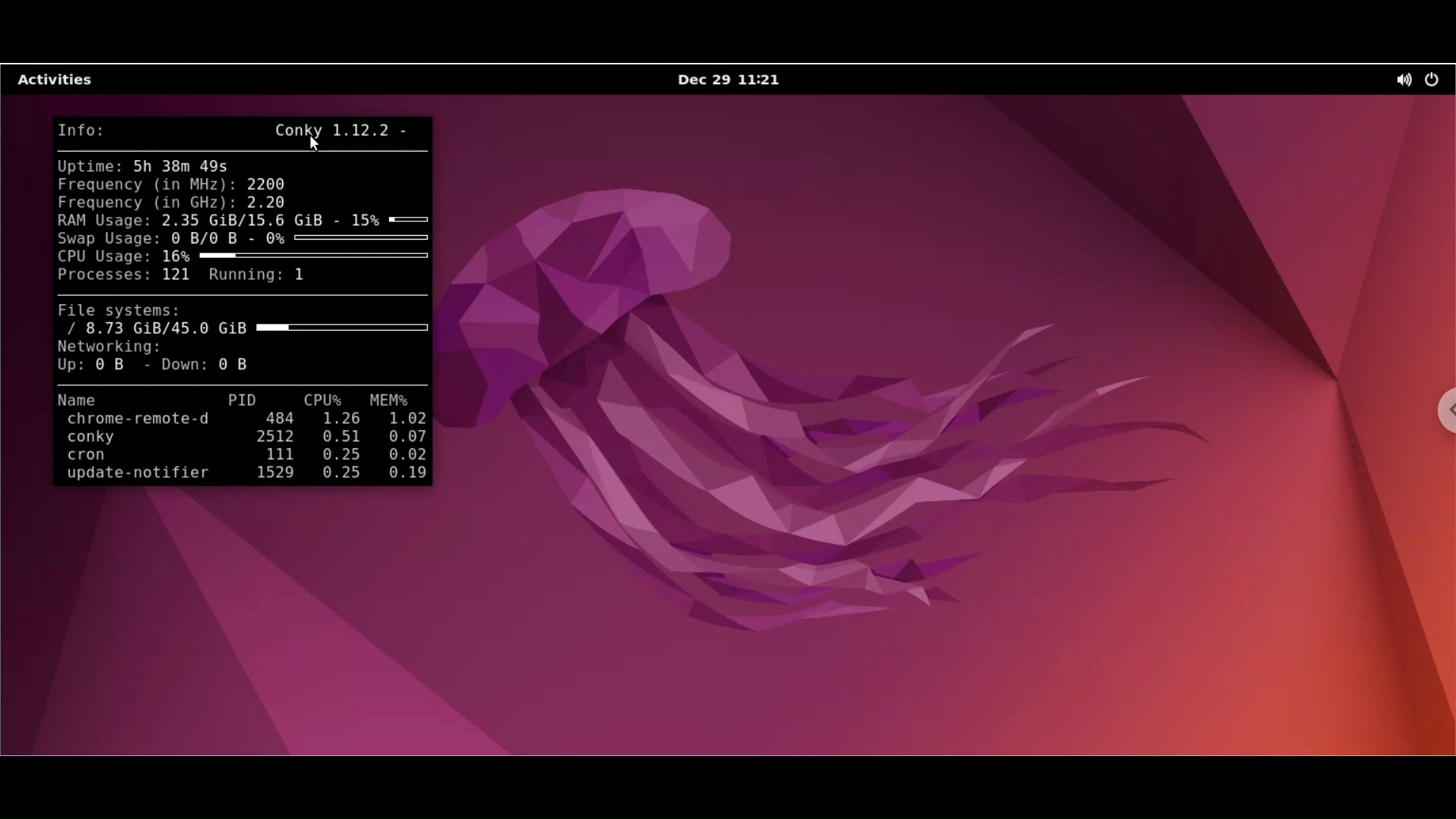 The height and width of the screenshot is (819, 1456). Describe the element at coordinates (177, 275) in the screenshot. I see `121` at that location.